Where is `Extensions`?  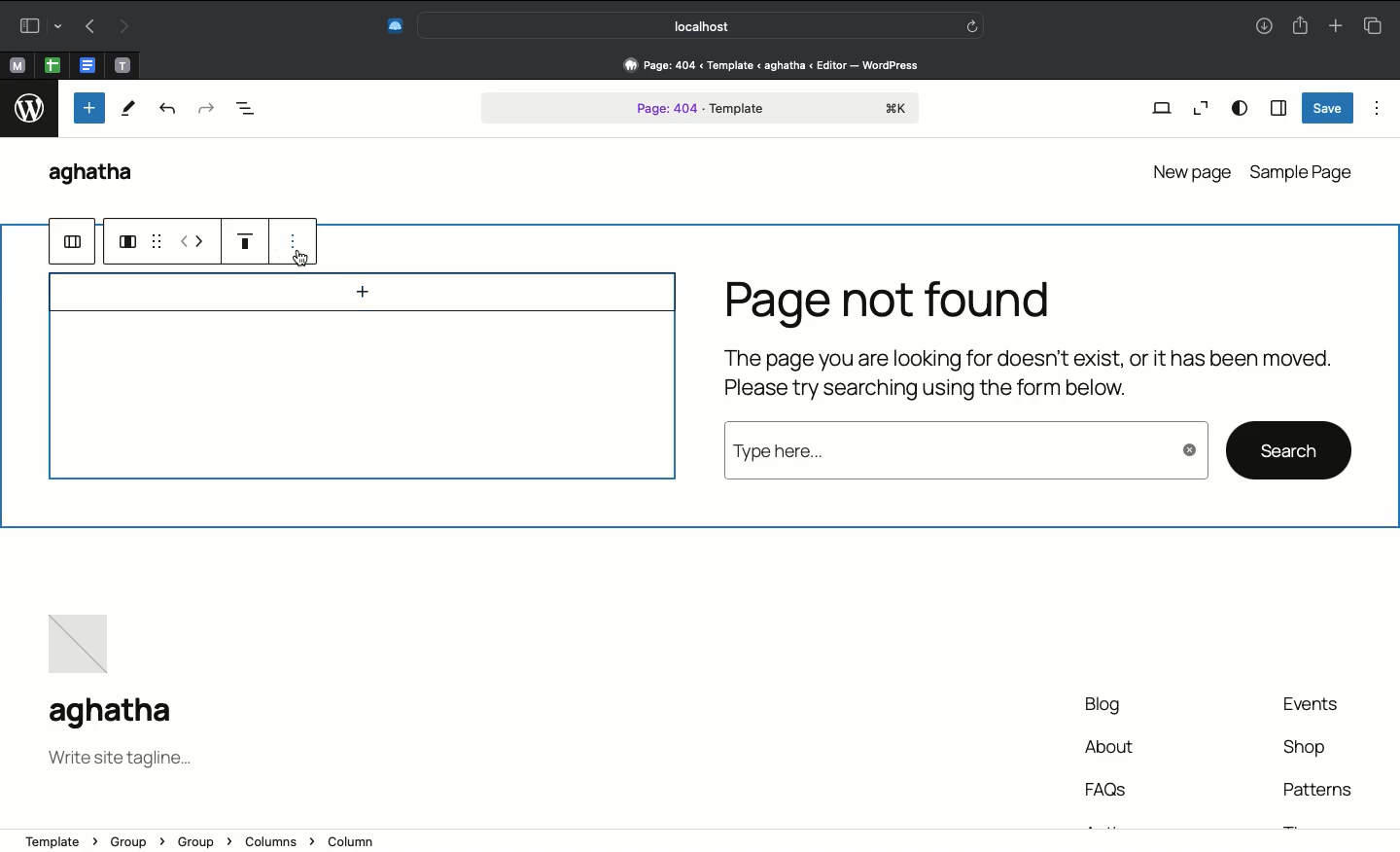 Extensions is located at coordinates (393, 27).